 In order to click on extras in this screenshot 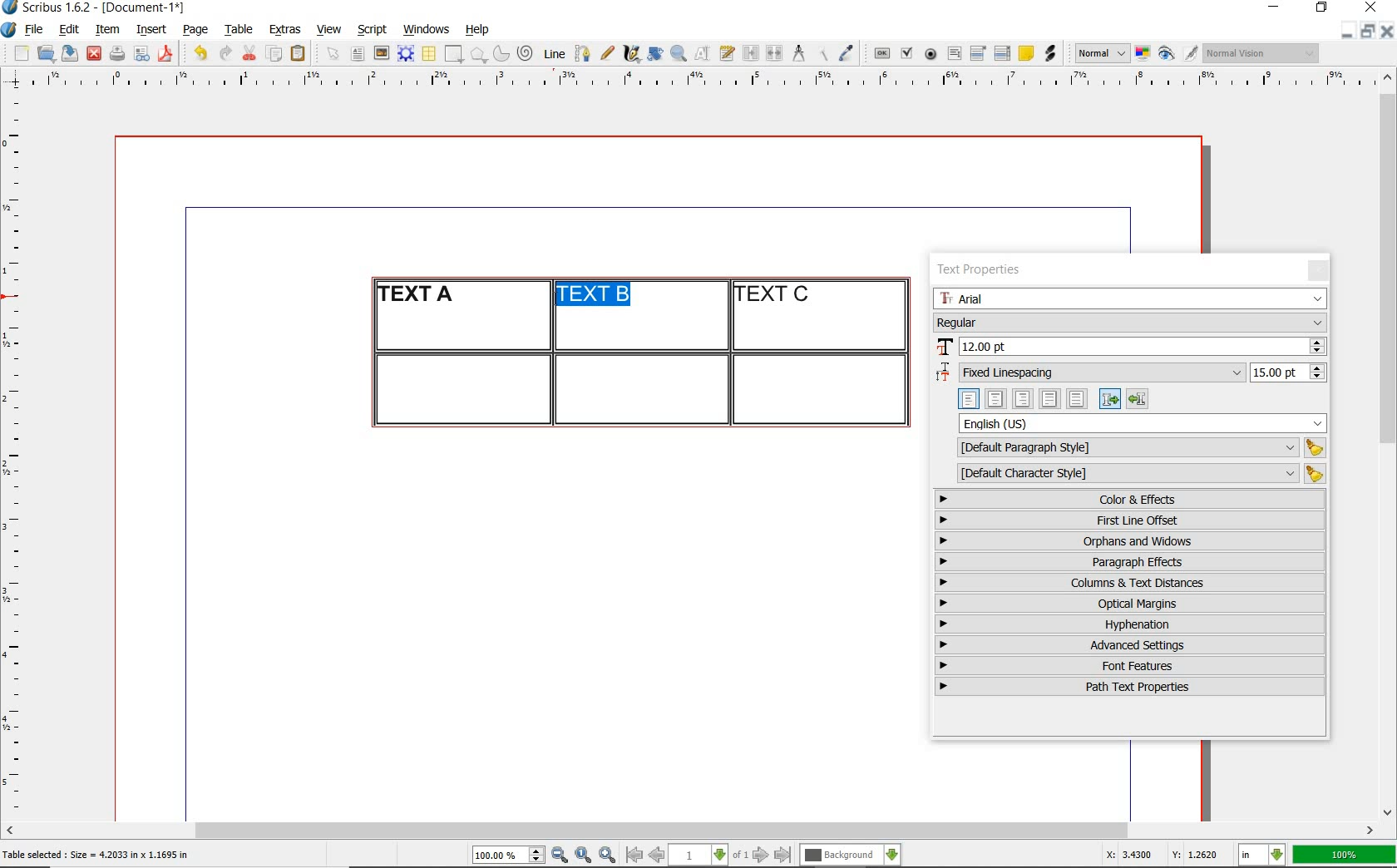, I will do `click(285, 31)`.